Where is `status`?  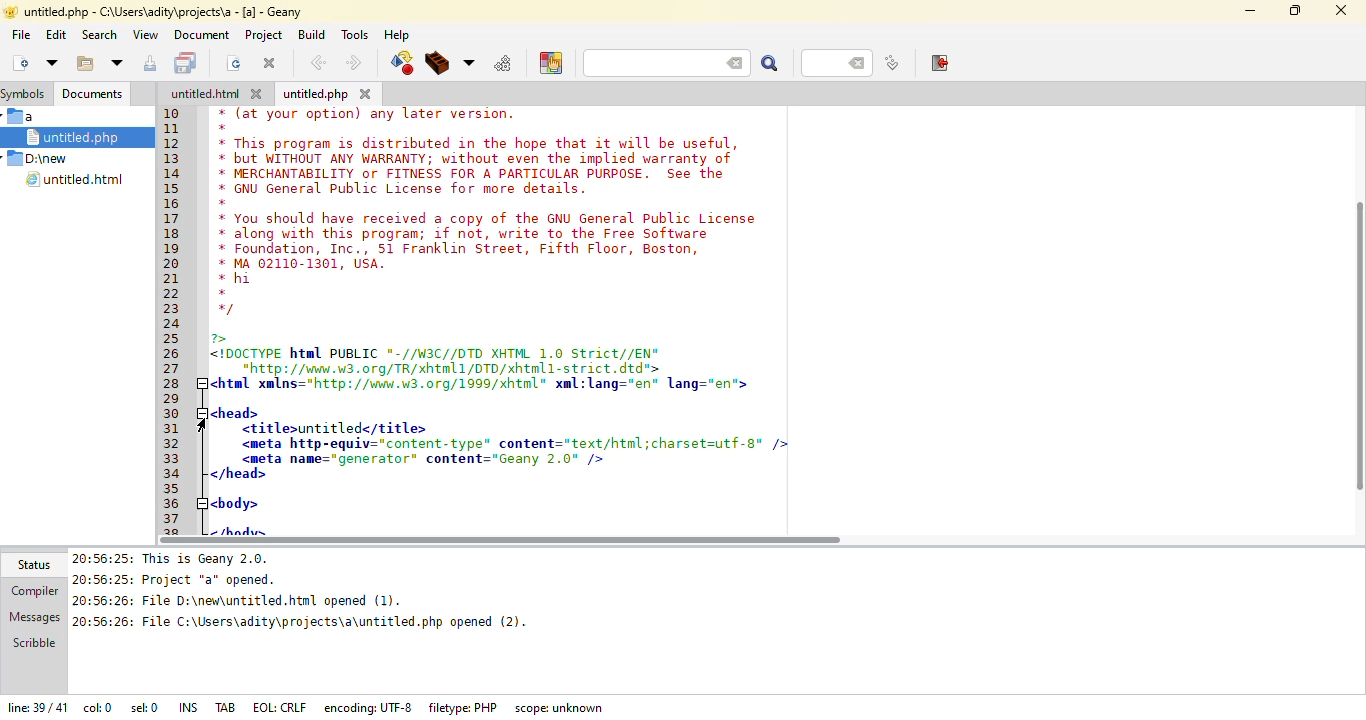 status is located at coordinates (36, 567).